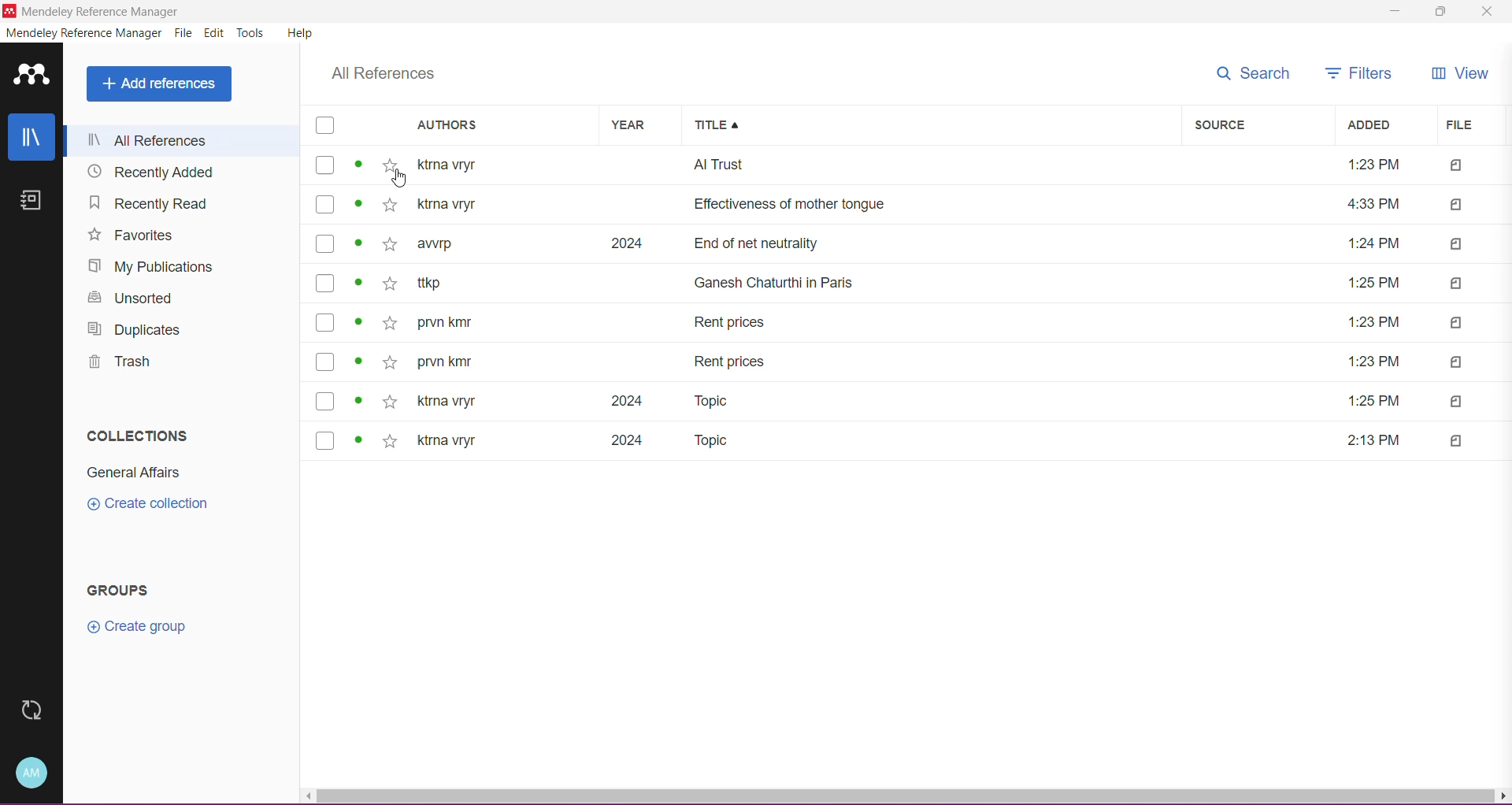 The width and height of the screenshot is (1512, 805). Describe the element at coordinates (143, 629) in the screenshot. I see `Create group` at that location.